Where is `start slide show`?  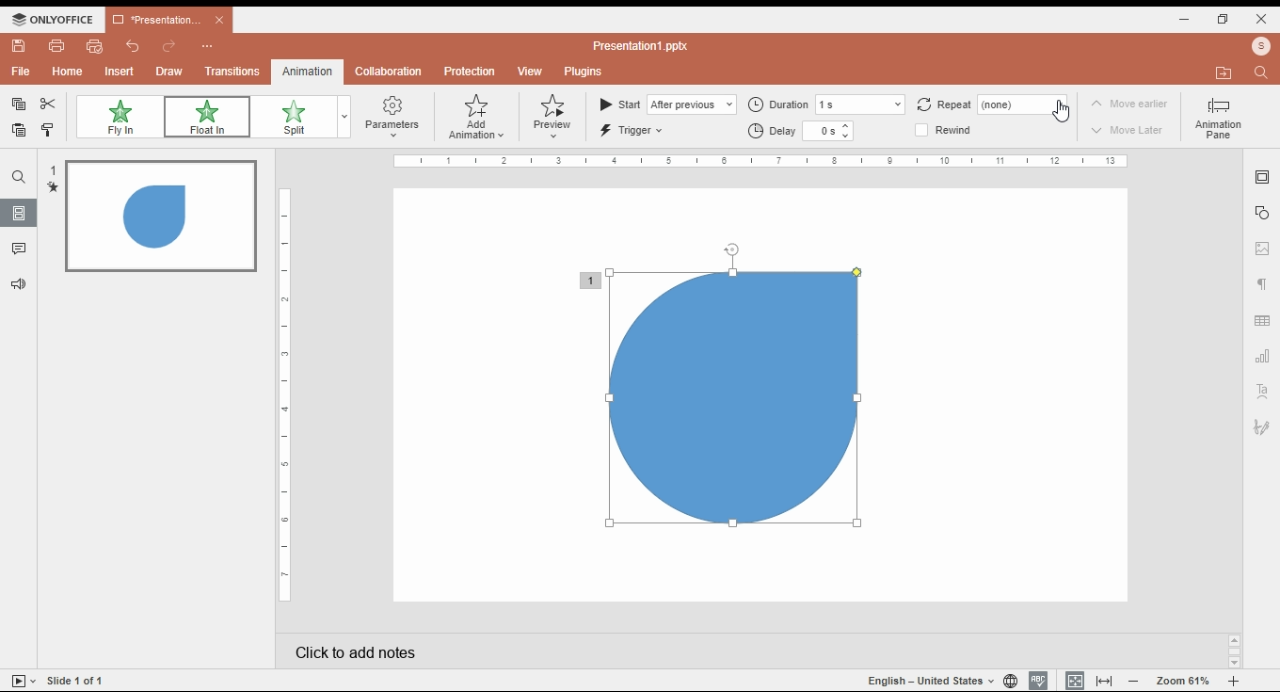
start slide show is located at coordinates (24, 680).